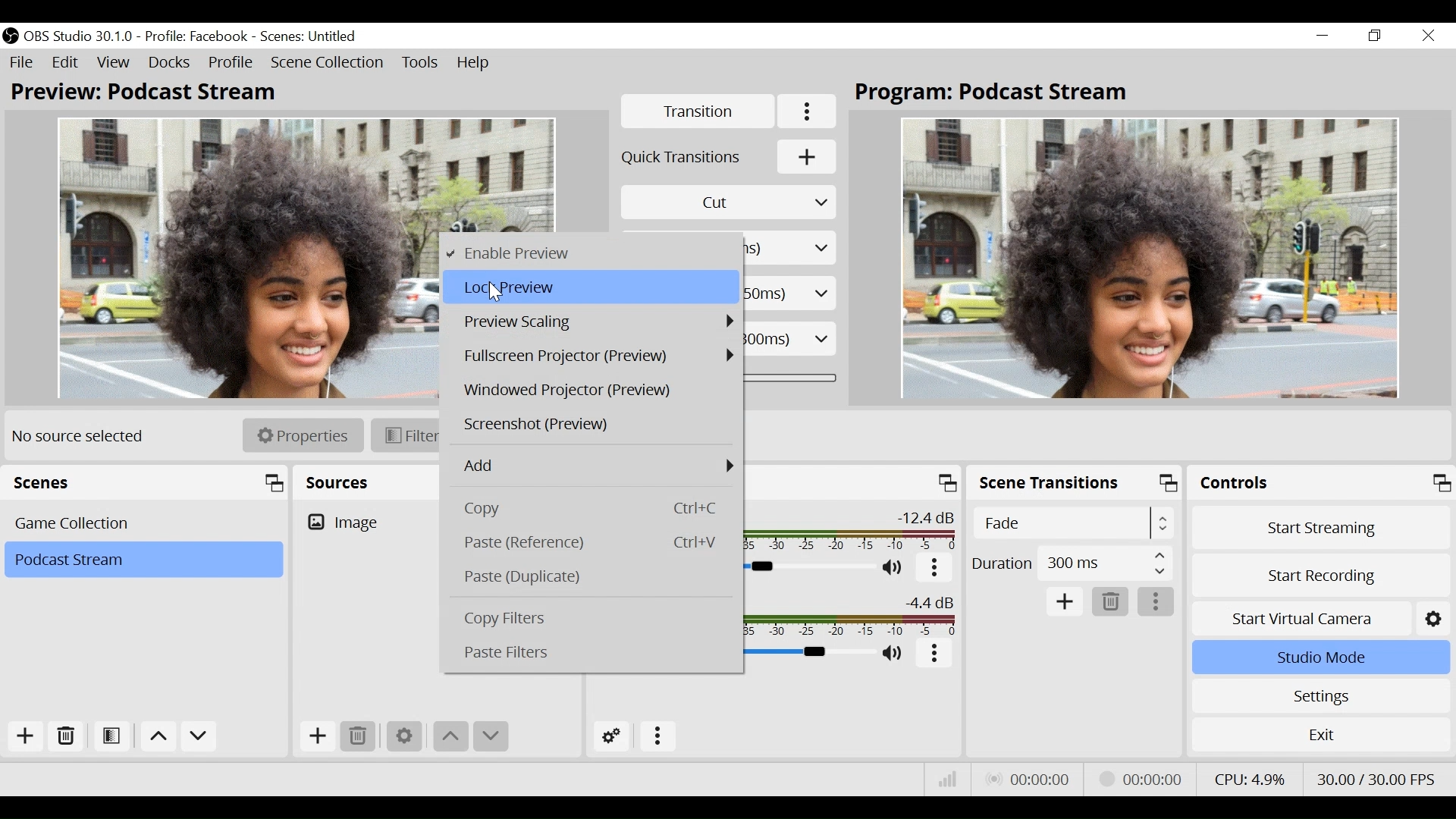 This screenshot has width=1456, height=819. I want to click on more options, so click(659, 736).